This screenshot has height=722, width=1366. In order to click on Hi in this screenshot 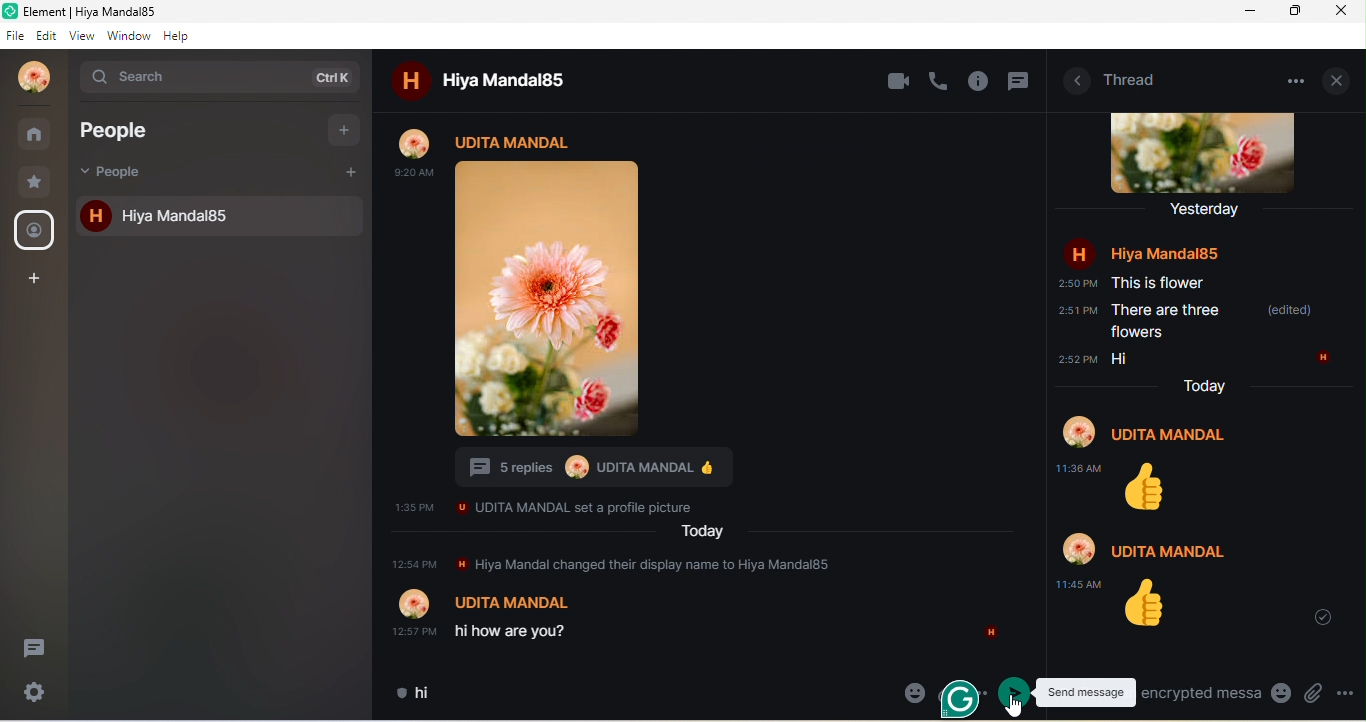, I will do `click(1117, 359)`.